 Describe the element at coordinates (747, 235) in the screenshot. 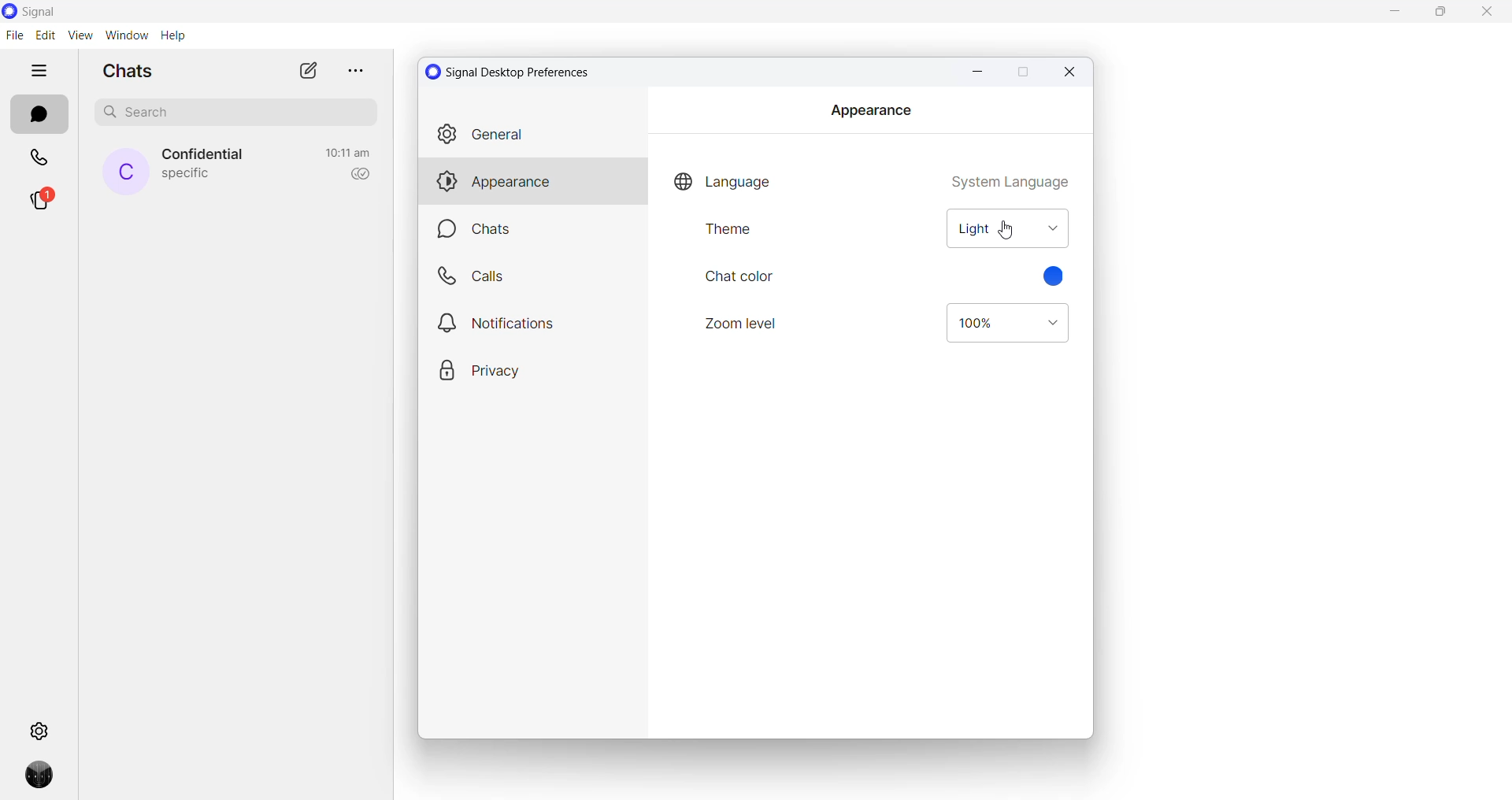

I see `theme` at that location.